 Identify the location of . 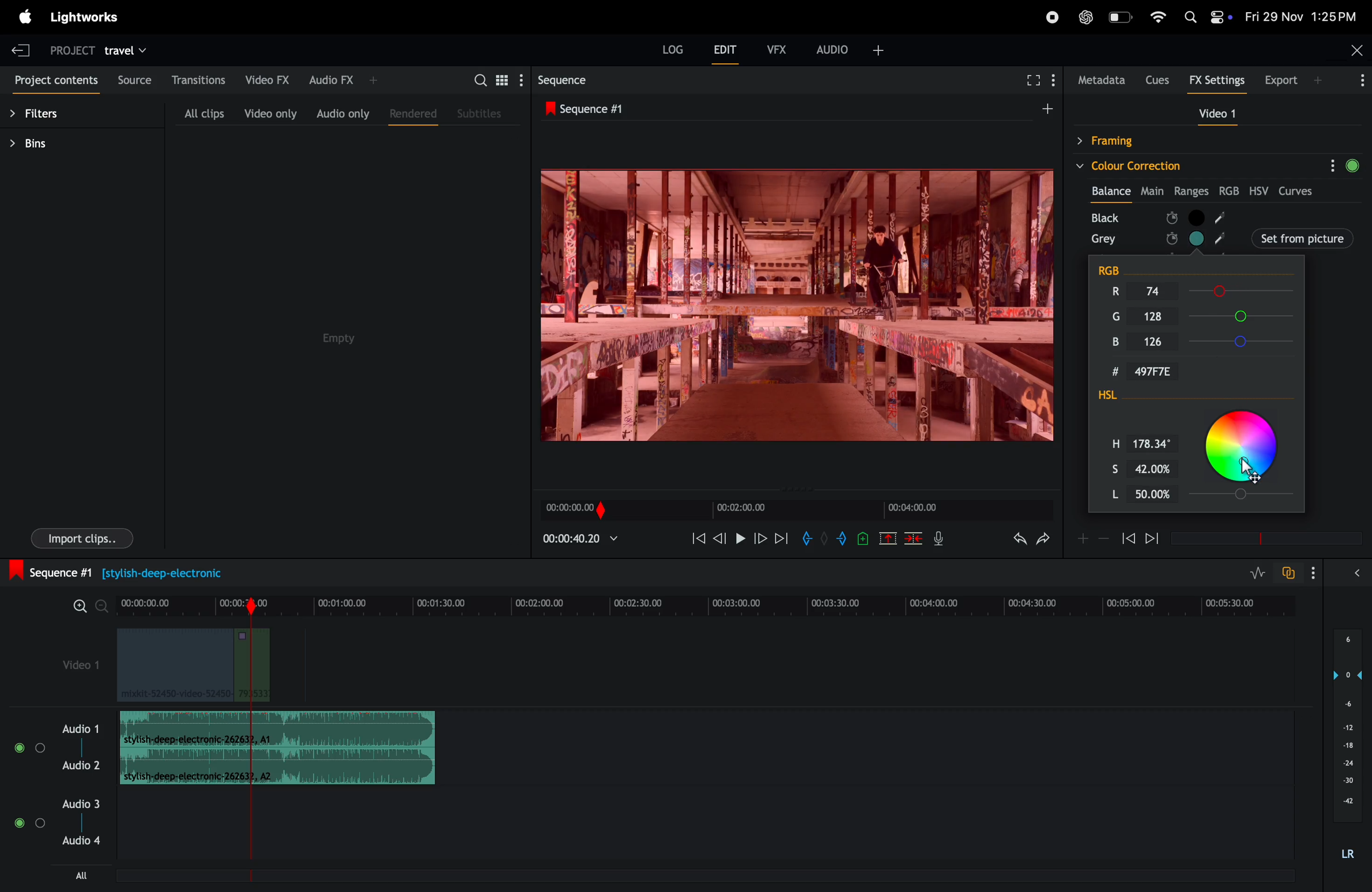
(846, 48).